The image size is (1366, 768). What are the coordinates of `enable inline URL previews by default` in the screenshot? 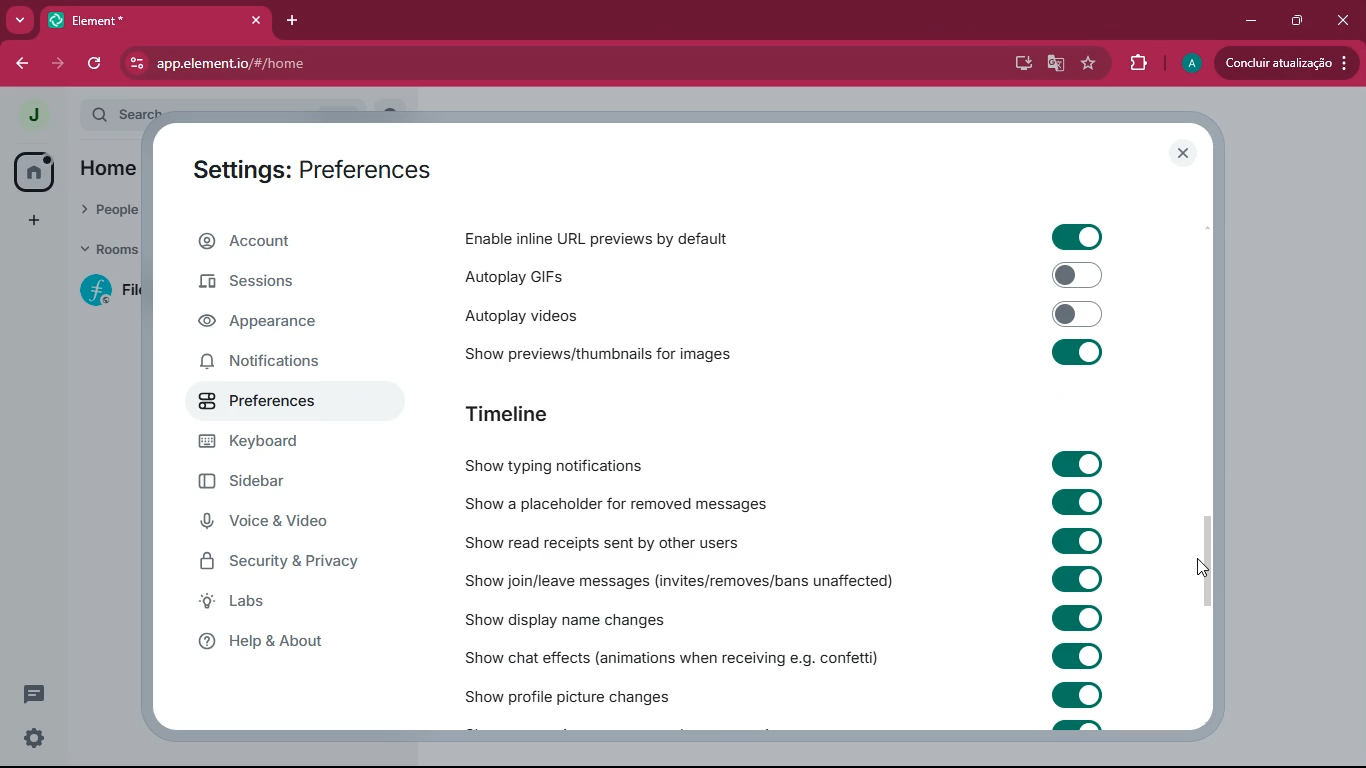 It's located at (601, 238).